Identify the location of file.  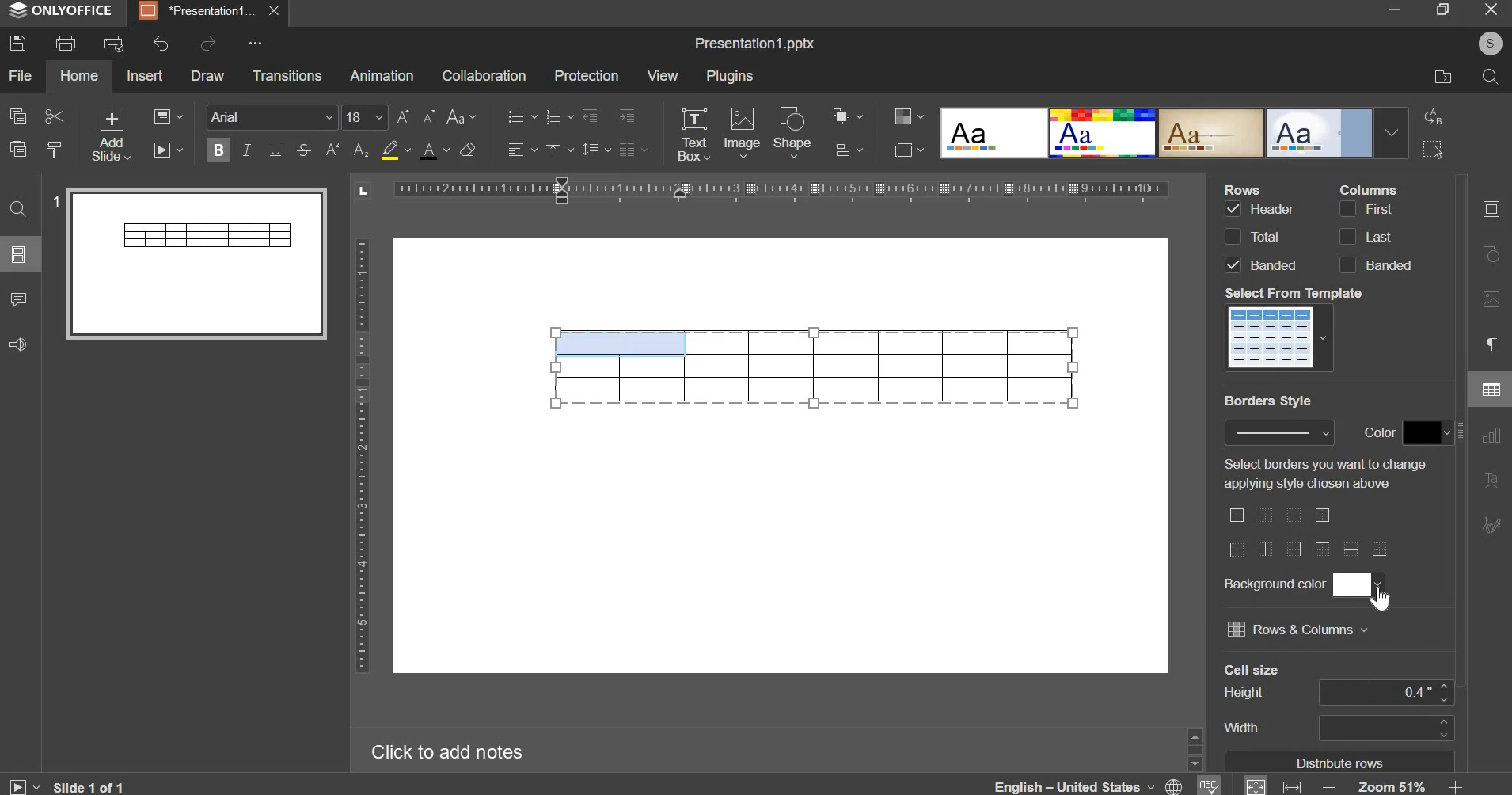
(21, 75).